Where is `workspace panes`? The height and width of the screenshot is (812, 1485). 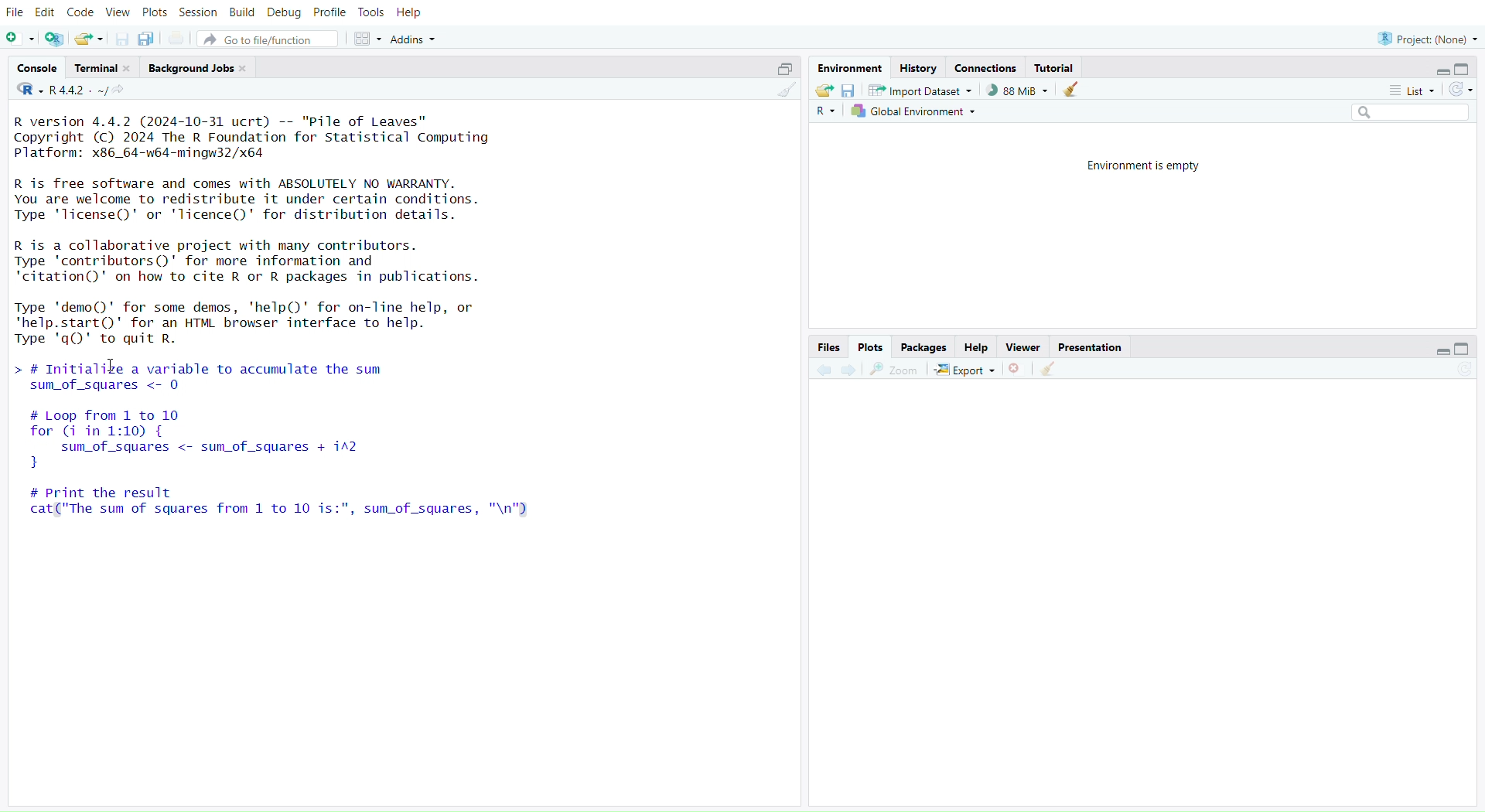 workspace panes is located at coordinates (367, 39).